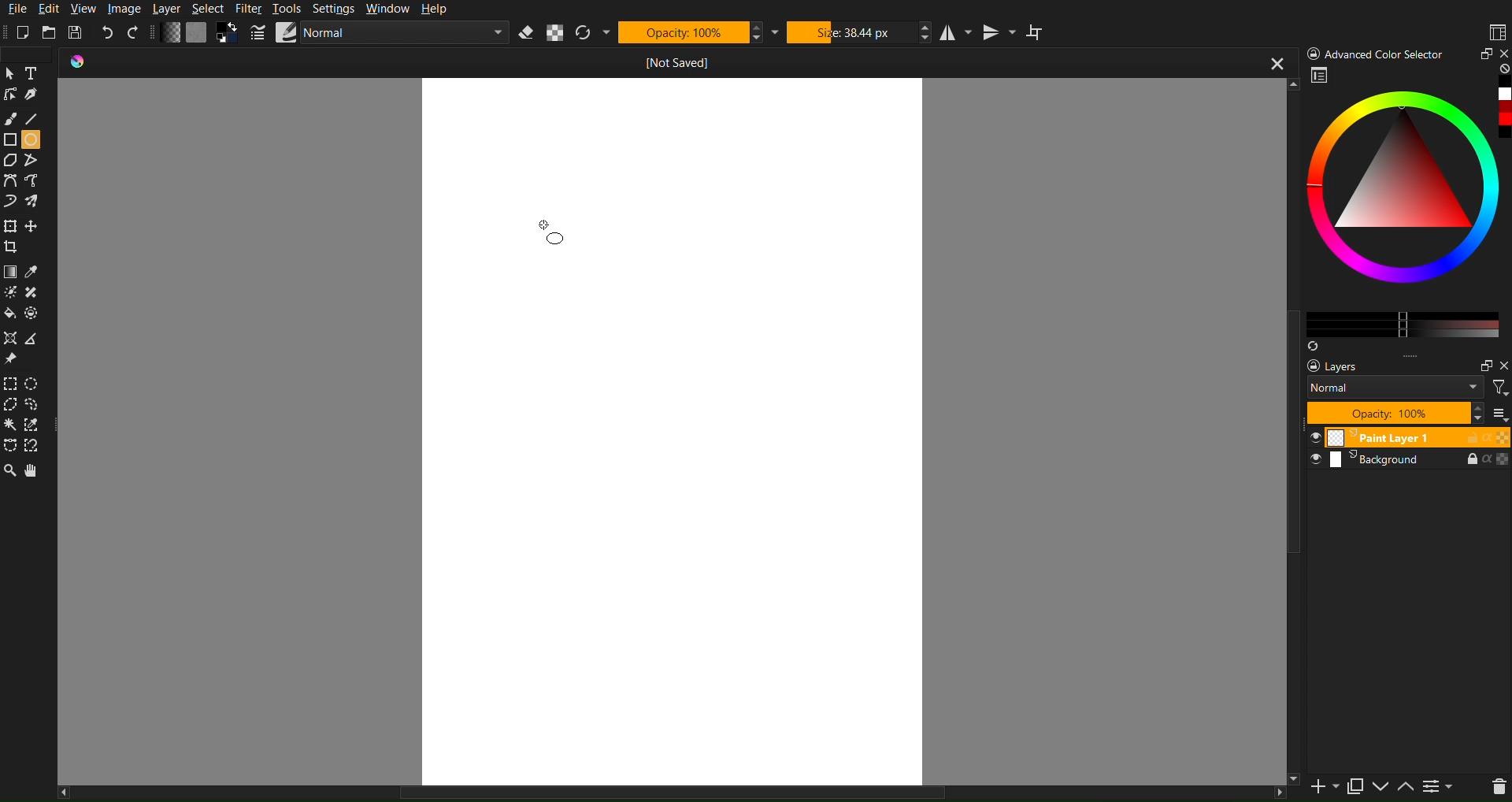 Image resolution: width=1512 pixels, height=802 pixels. I want to click on vertical scroll bar, so click(1284, 389).